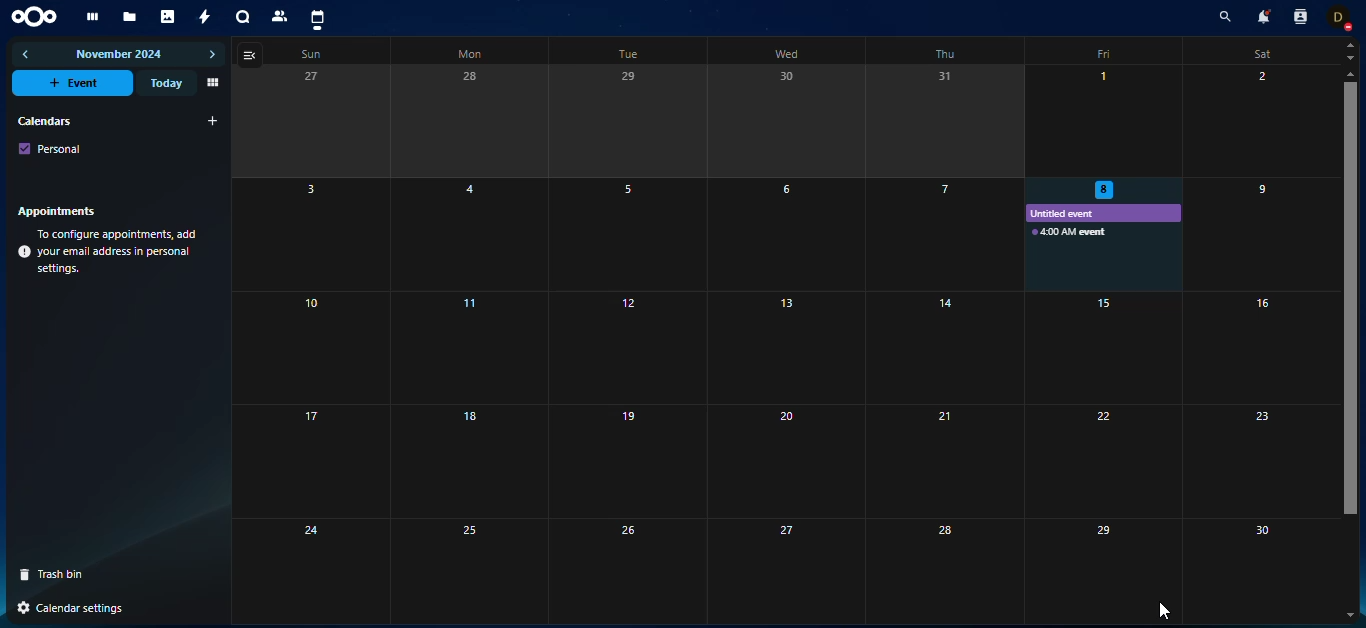 The height and width of the screenshot is (628, 1366). Describe the element at coordinates (945, 53) in the screenshot. I see `thu` at that location.